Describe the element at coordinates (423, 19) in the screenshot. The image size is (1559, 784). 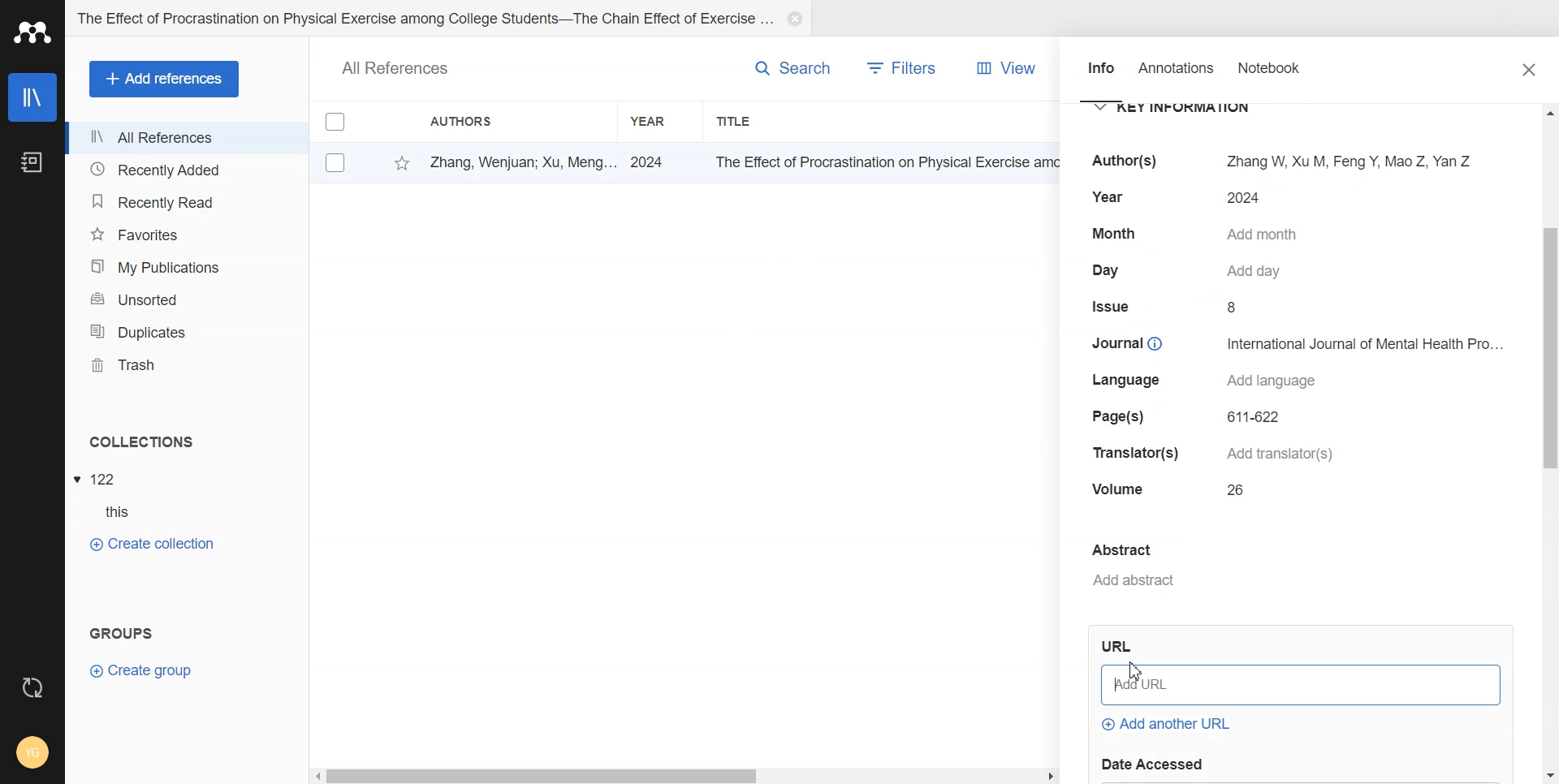
I see `Folder` at that location.